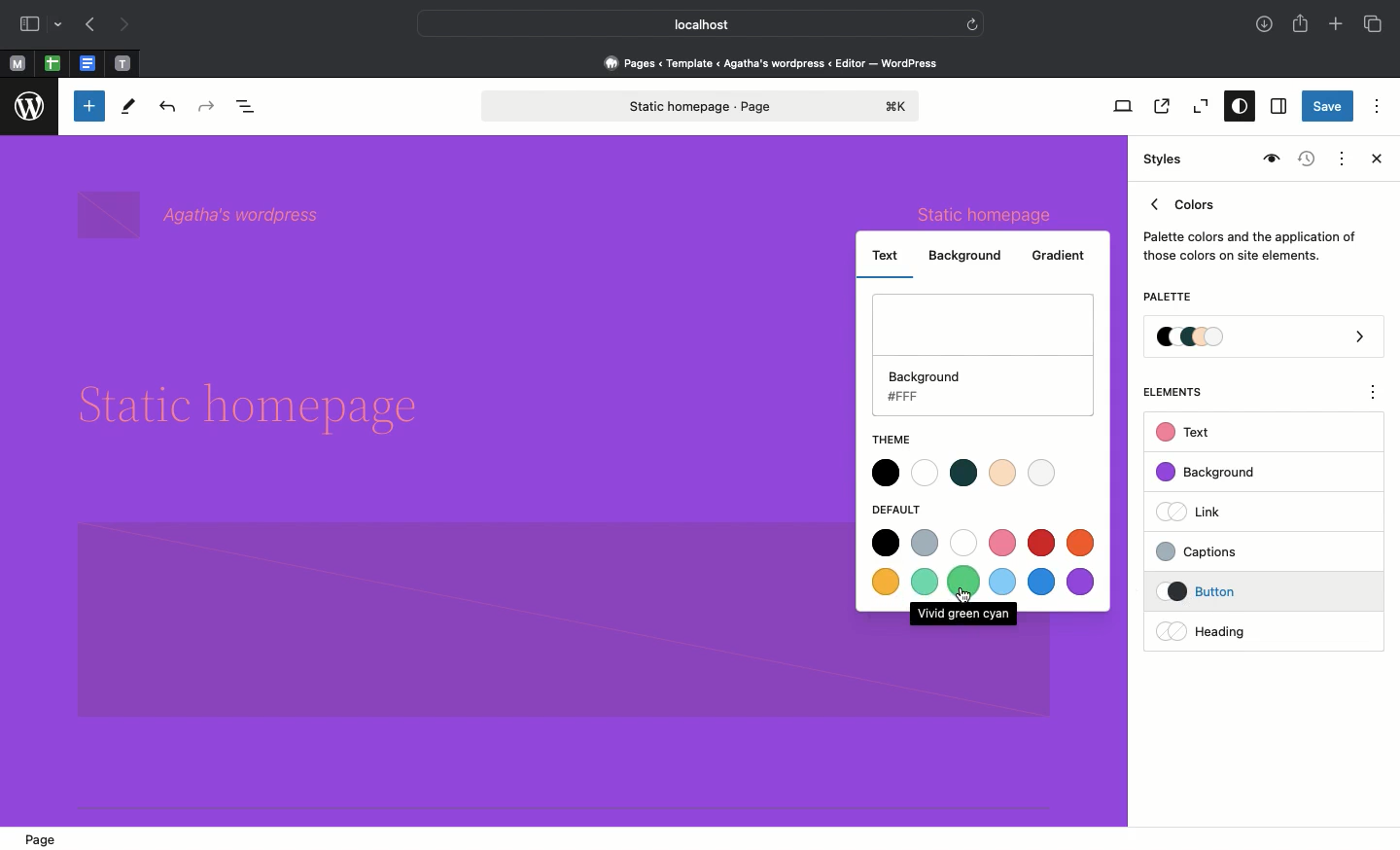 Image resolution: width=1400 pixels, height=850 pixels. Describe the element at coordinates (1277, 107) in the screenshot. I see `Settings` at that location.